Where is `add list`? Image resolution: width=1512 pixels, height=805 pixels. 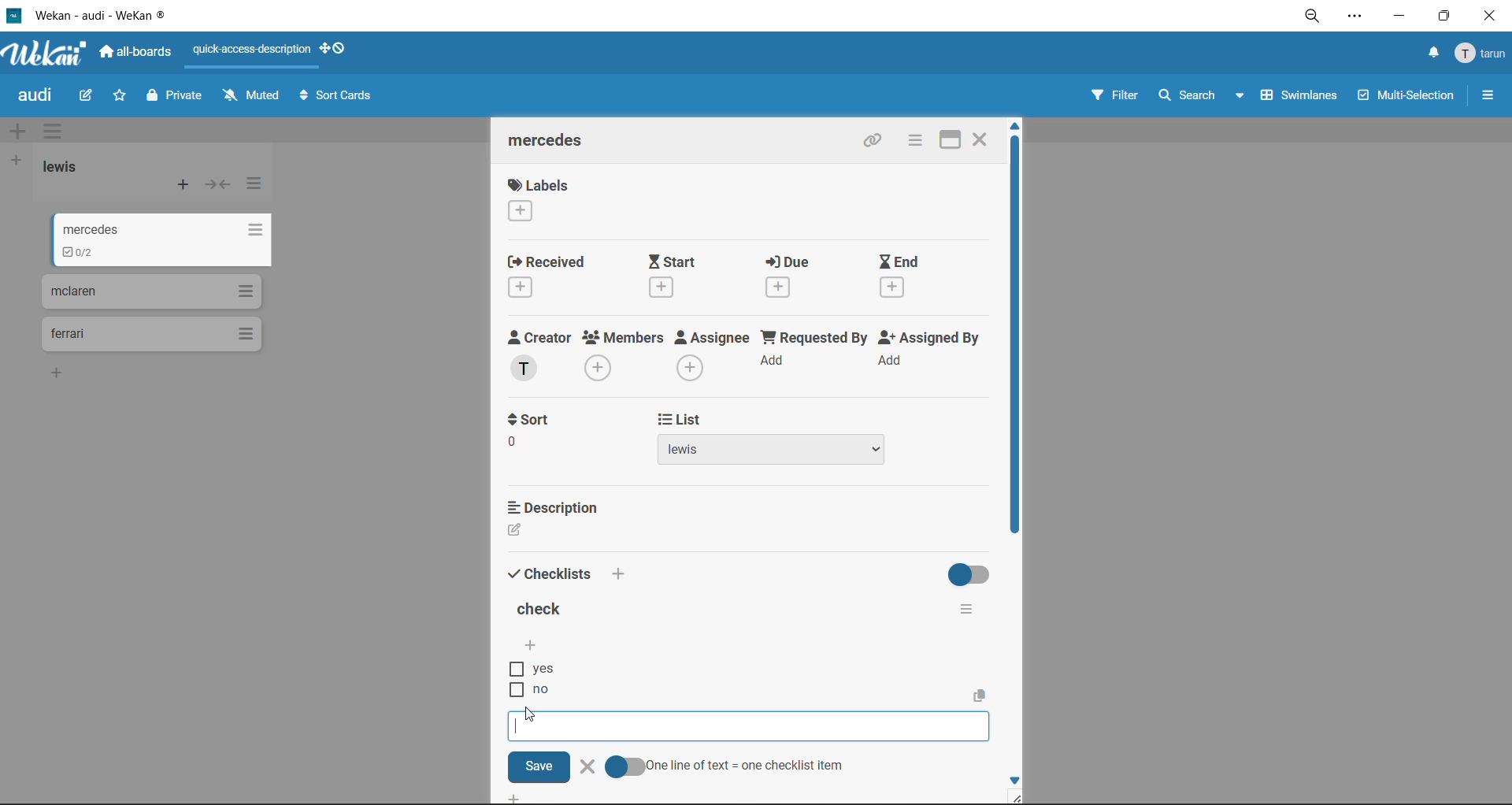 add list is located at coordinates (20, 161).